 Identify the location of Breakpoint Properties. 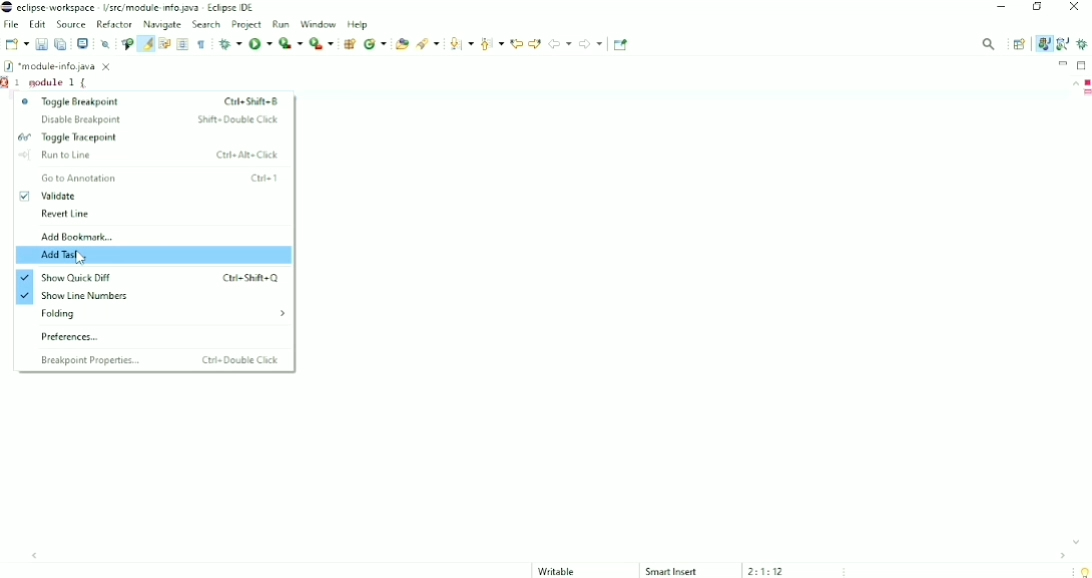
(160, 361).